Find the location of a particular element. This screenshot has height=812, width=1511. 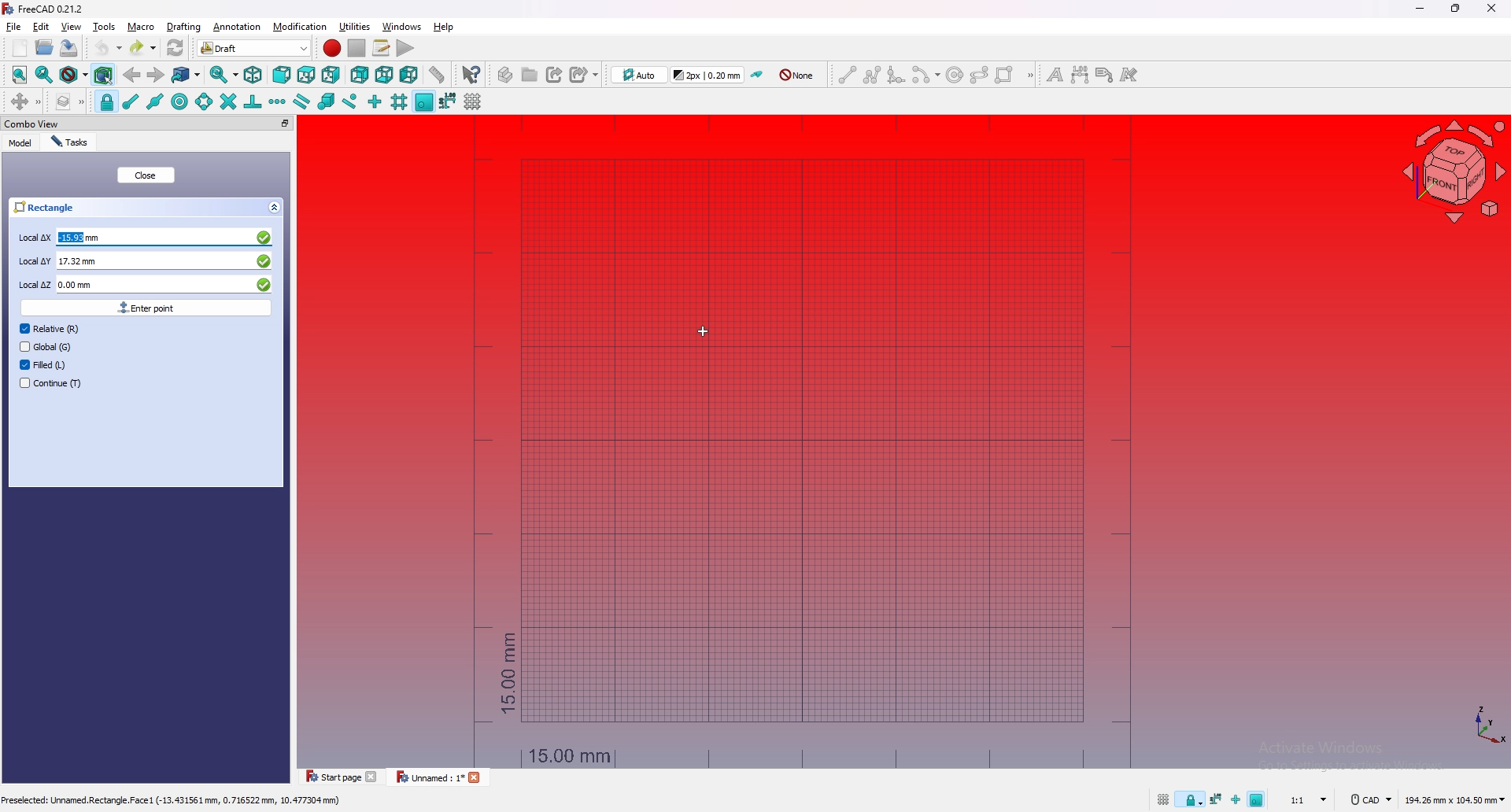

Macro recording is located at coordinates (332, 48).